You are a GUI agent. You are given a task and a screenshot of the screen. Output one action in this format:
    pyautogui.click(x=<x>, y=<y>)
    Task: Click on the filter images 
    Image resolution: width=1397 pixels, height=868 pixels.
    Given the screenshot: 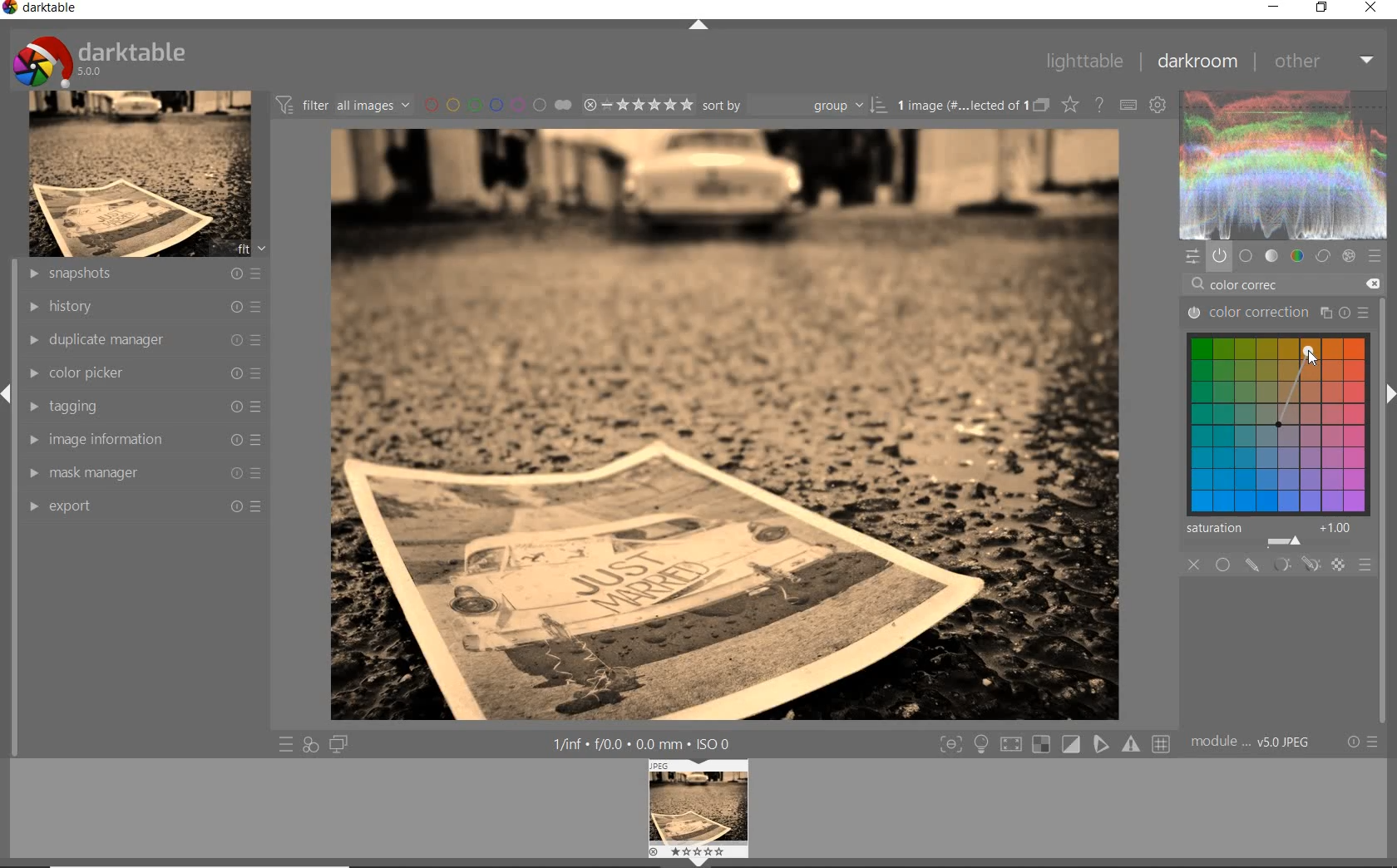 What is the action you would take?
    pyautogui.click(x=343, y=104)
    